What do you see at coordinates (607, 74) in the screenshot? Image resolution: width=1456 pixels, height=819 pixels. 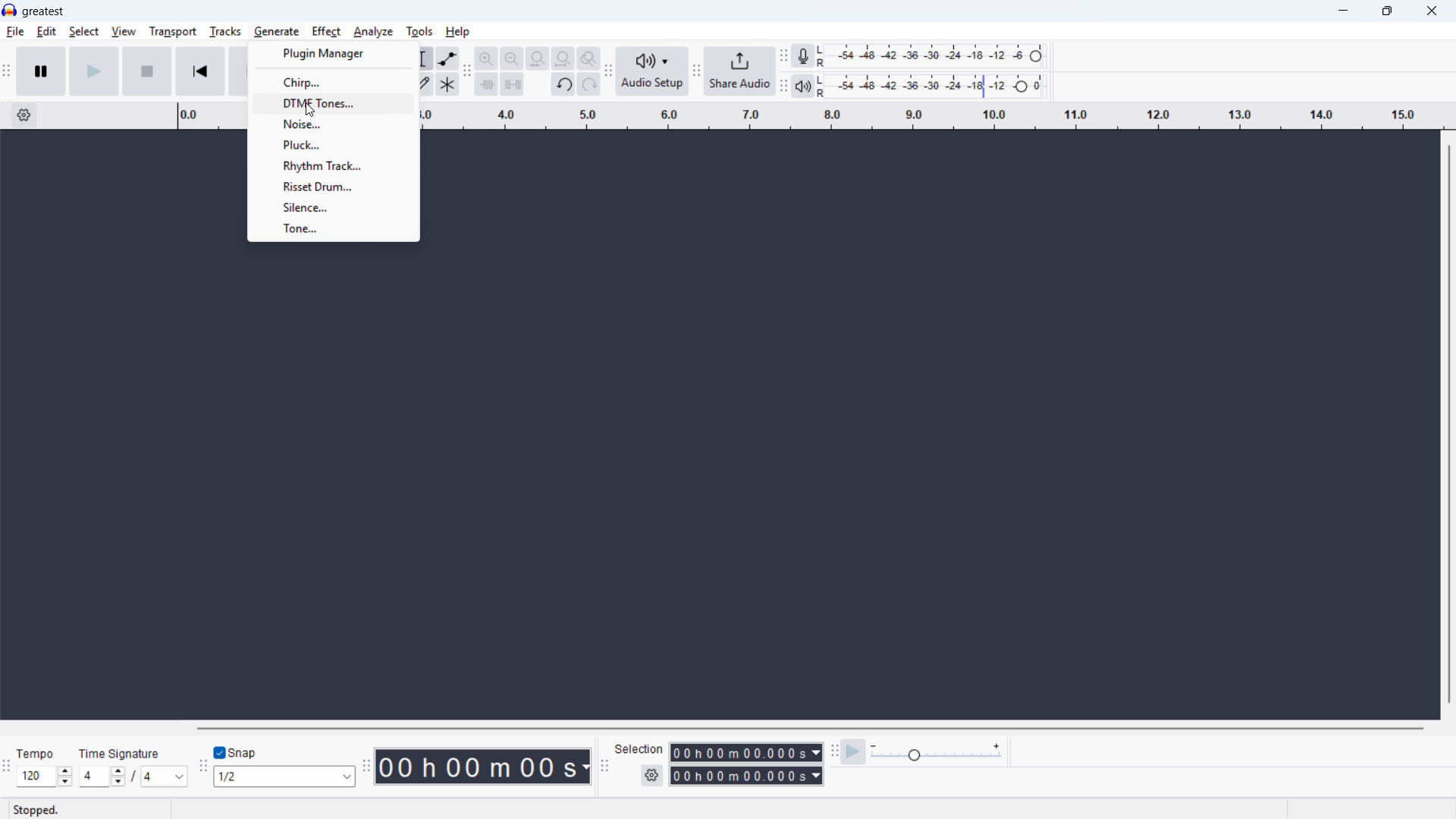 I see `audio setup toolbar` at bounding box center [607, 74].